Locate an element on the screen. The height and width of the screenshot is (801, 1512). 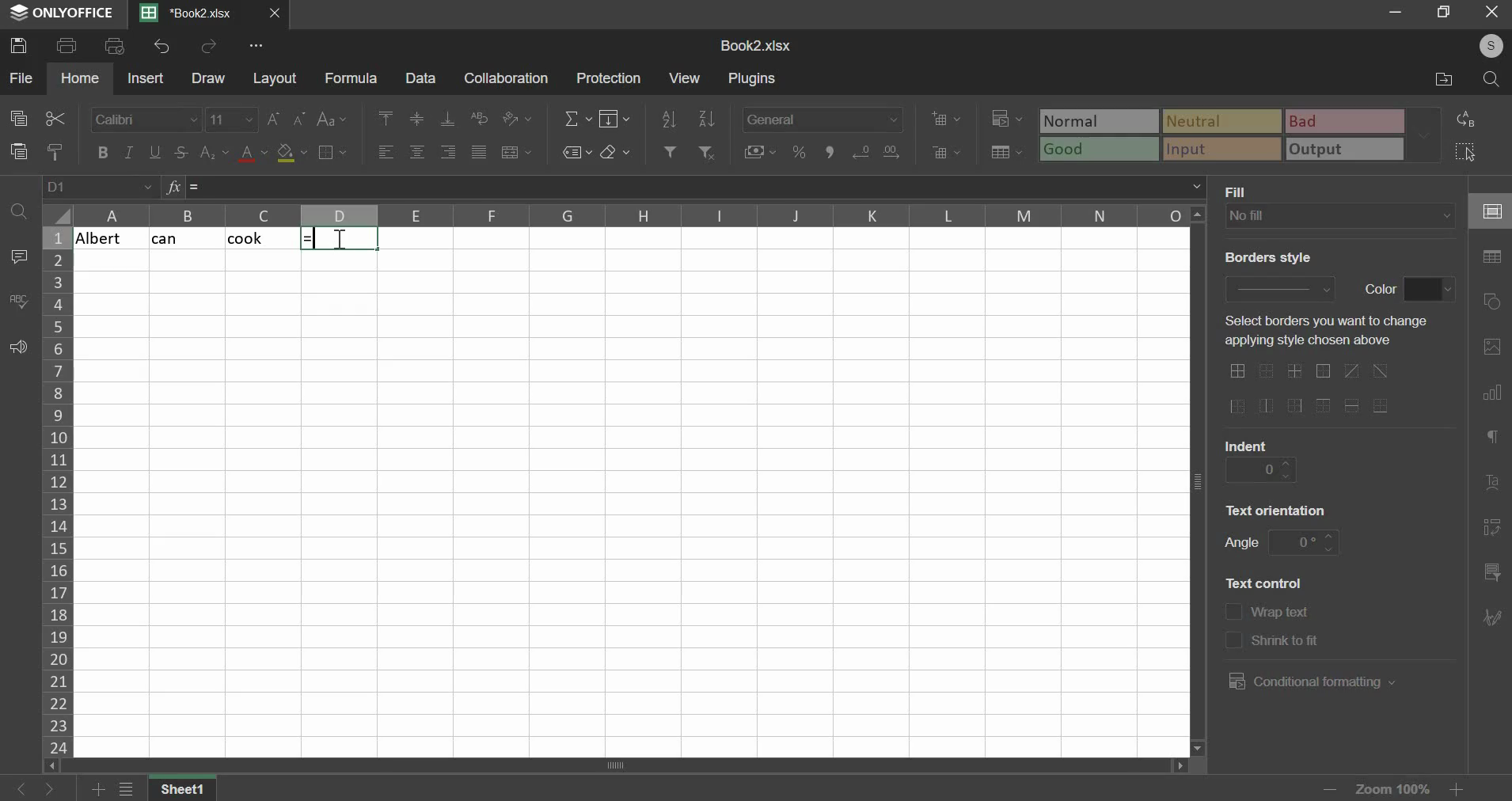
insert is located at coordinates (145, 78).